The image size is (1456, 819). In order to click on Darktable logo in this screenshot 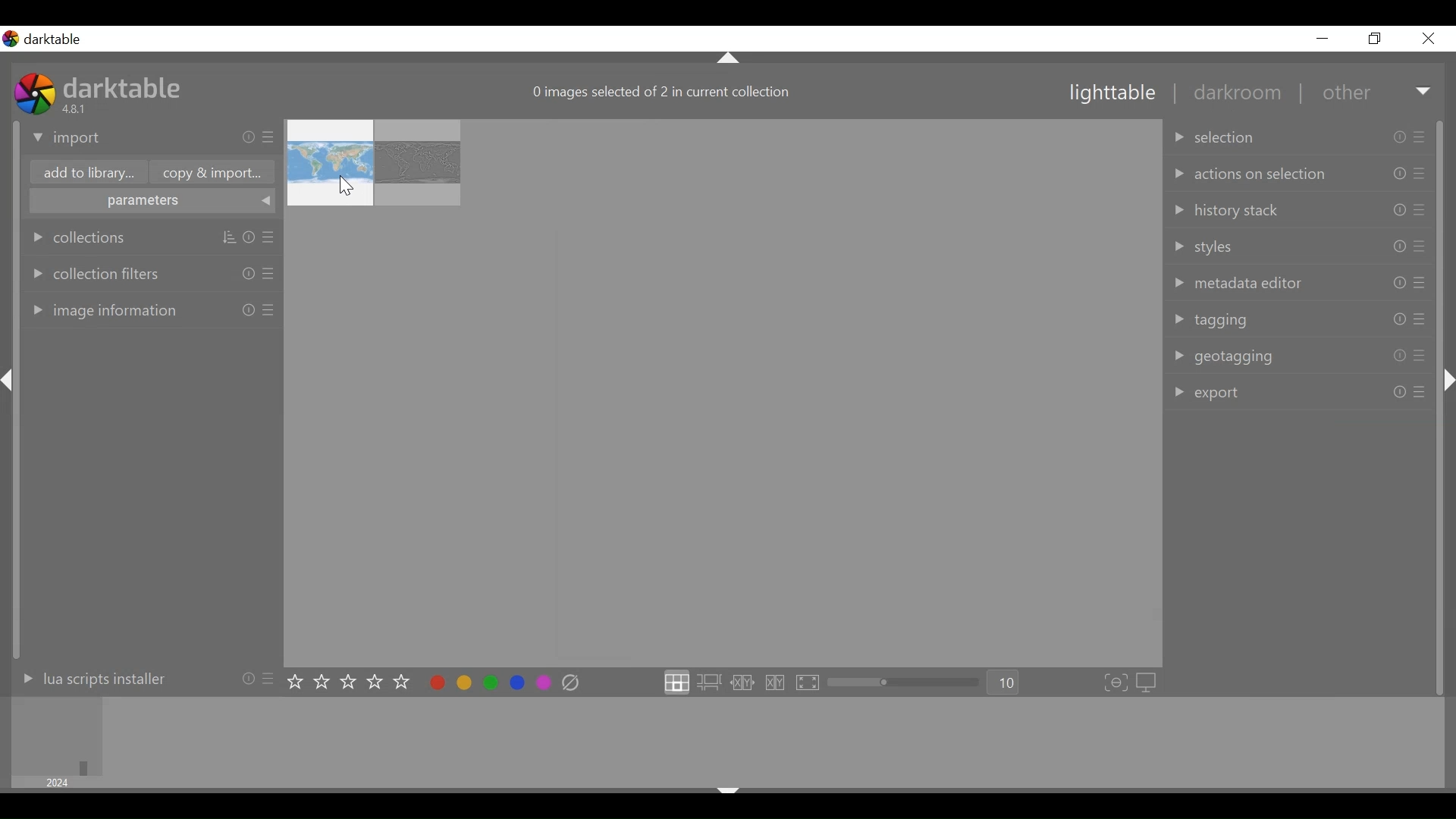, I will do `click(45, 39)`.